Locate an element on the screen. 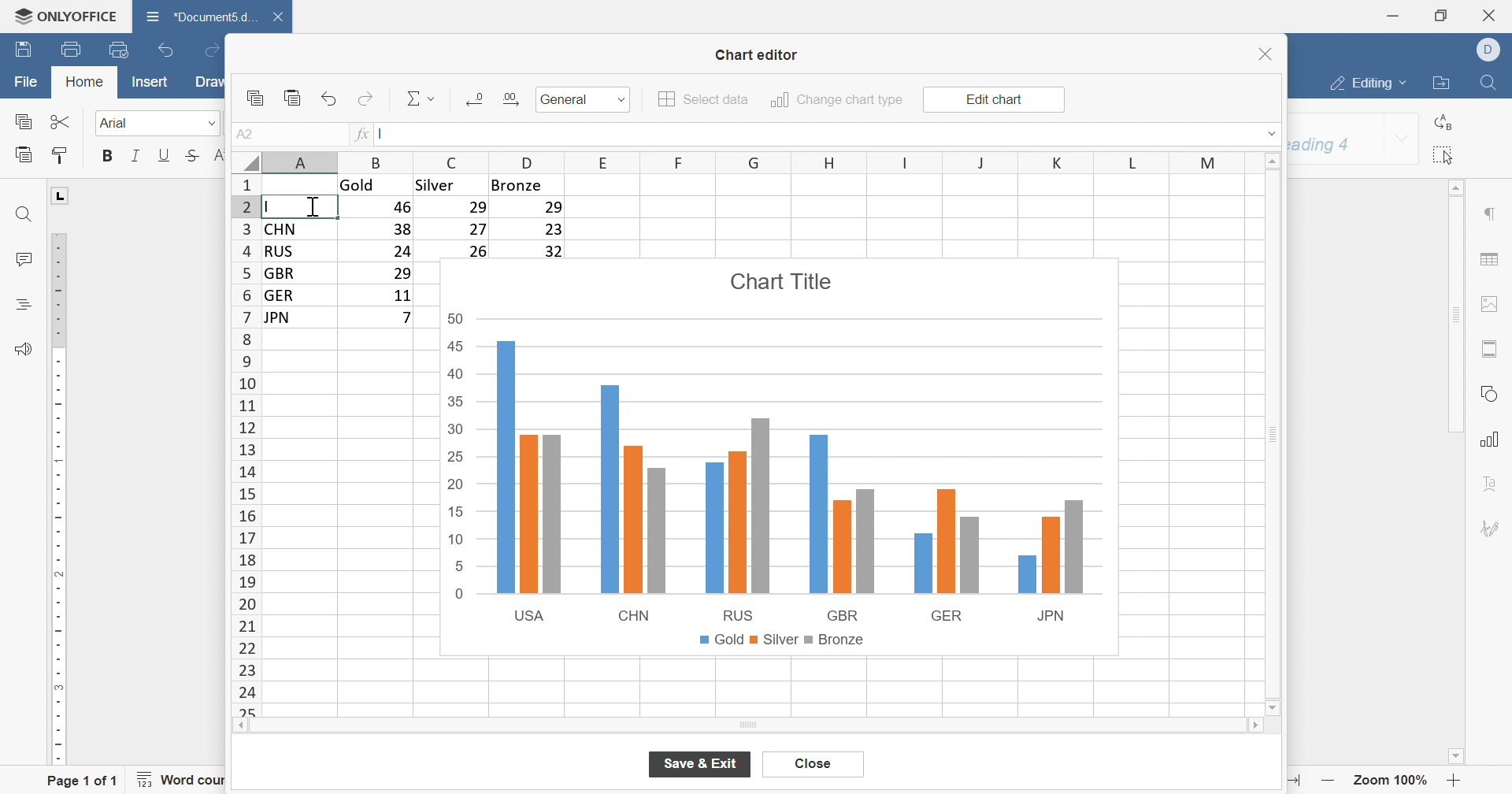 The image size is (1512, 794). redo is located at coordinates (209, 49).